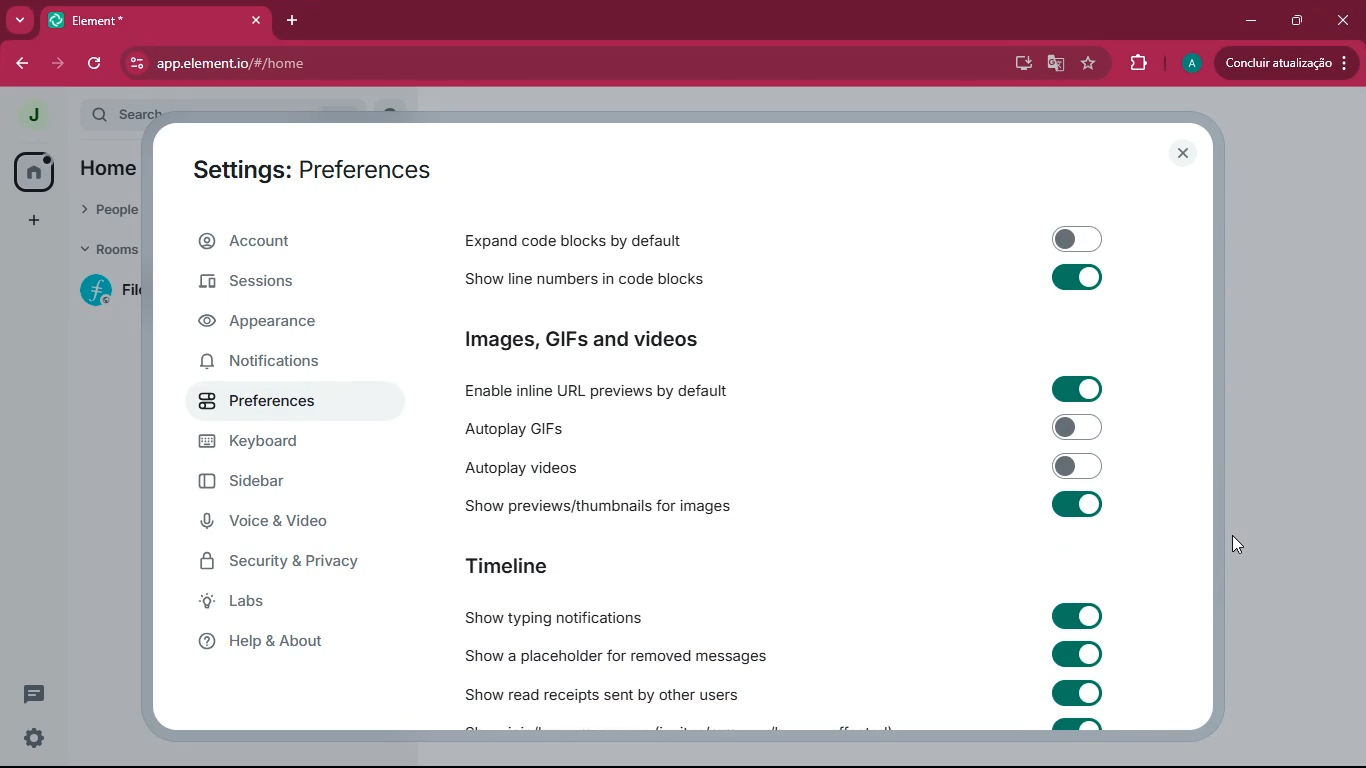  Describe the element at coordinates (603, 691) in the screenshot. I see `show read receipts sent by other users` at that location.